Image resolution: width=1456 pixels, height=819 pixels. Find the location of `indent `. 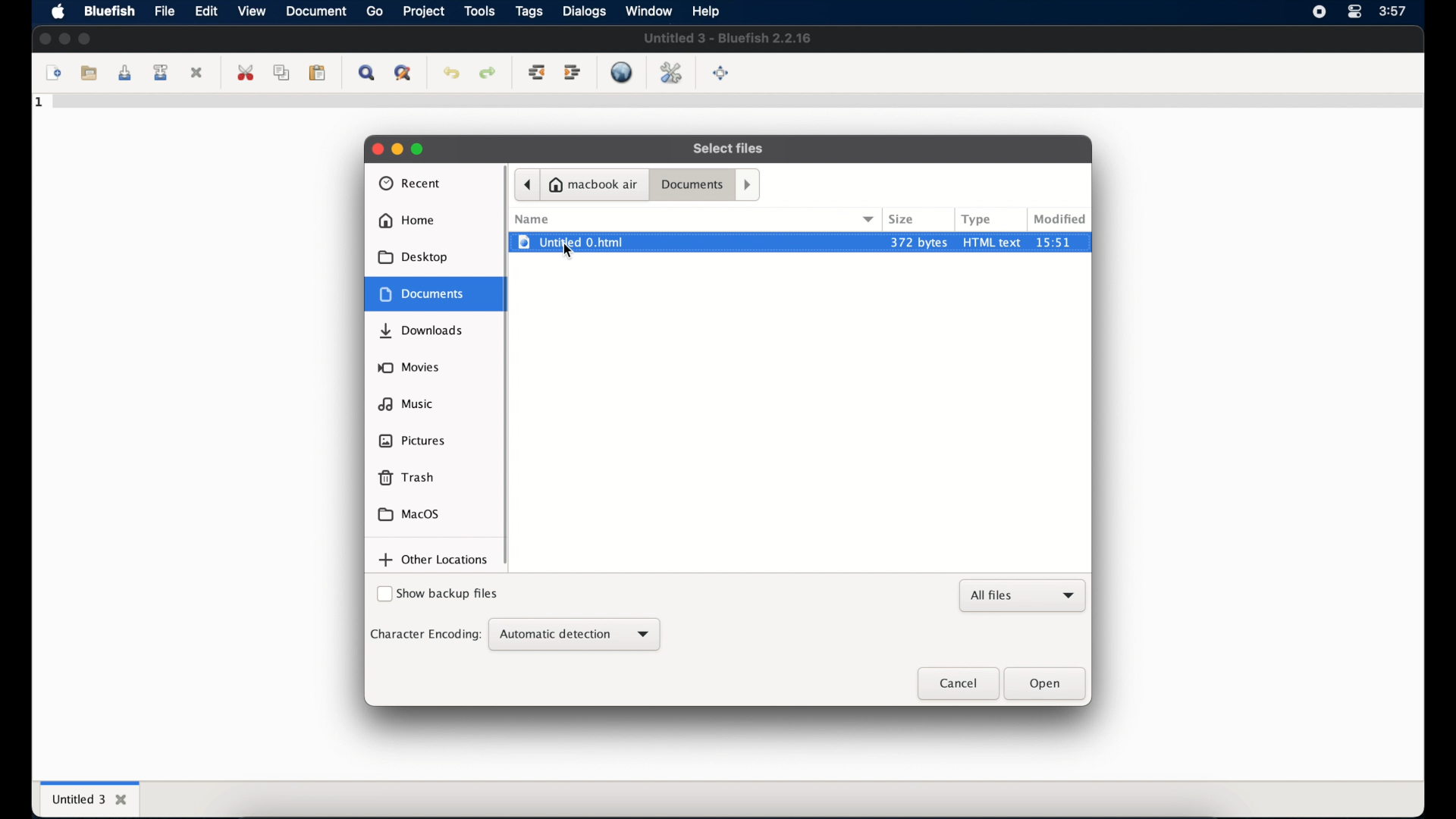

indent  is located at coordinates (573, 73).